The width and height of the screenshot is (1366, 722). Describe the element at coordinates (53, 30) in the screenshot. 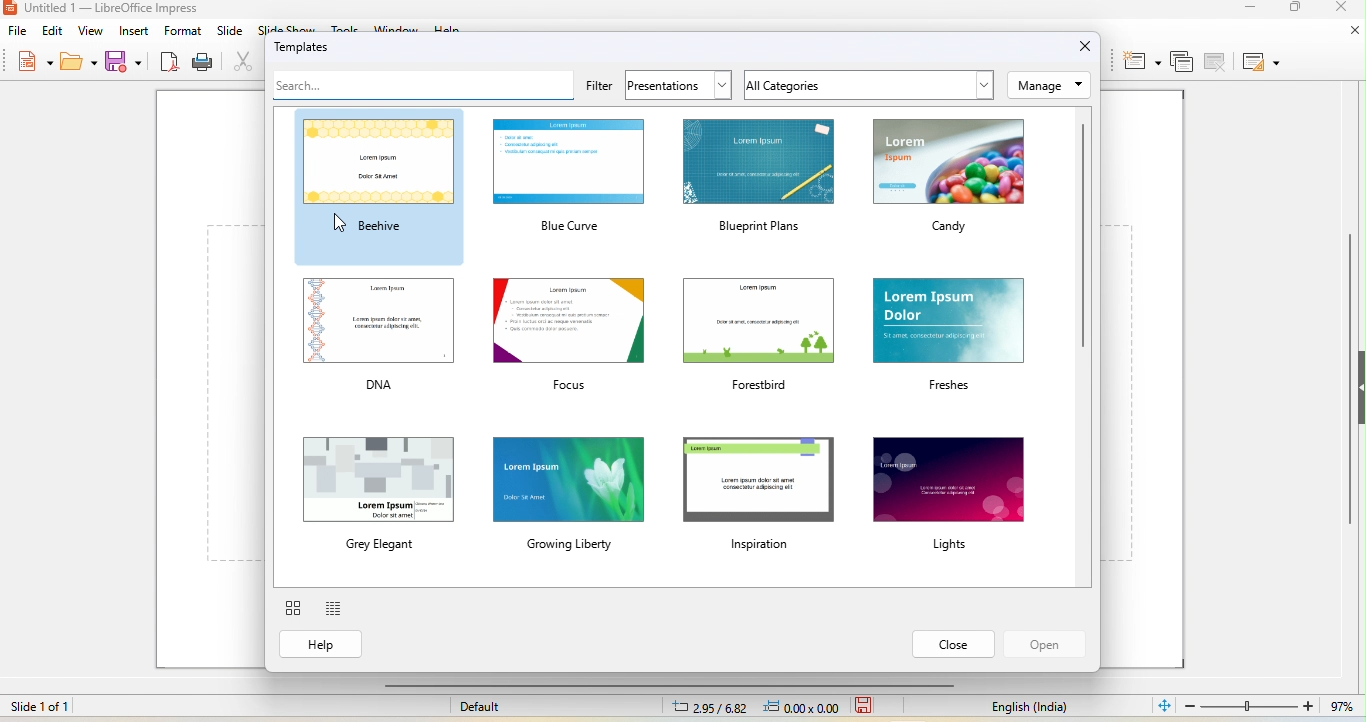

I see `edit` at that location.